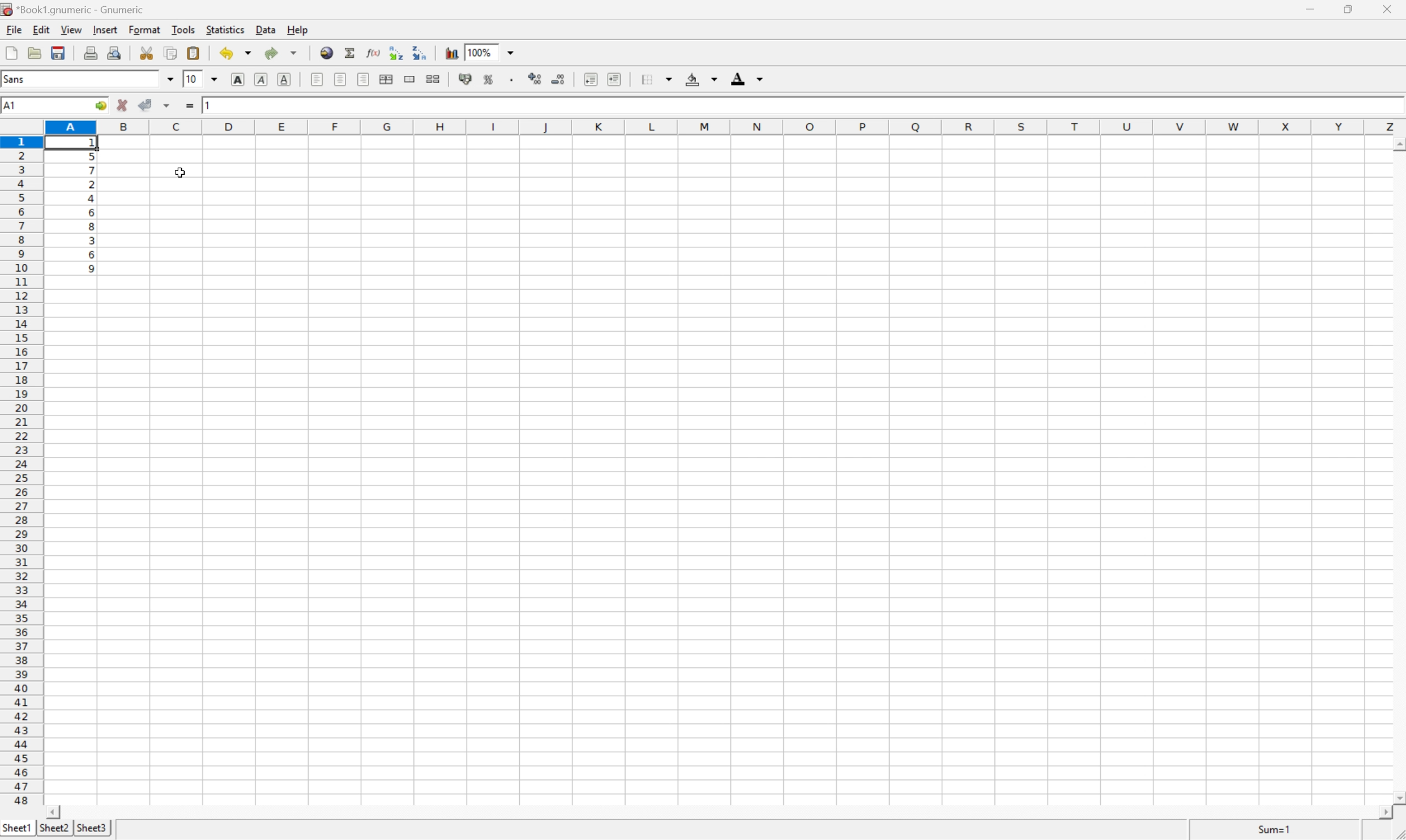 This screenshot has height=840, width=1406. What do you see at coordinates (122, 104) in the screenshot?
I see `cancel changes` at bounding box center [122, 104].